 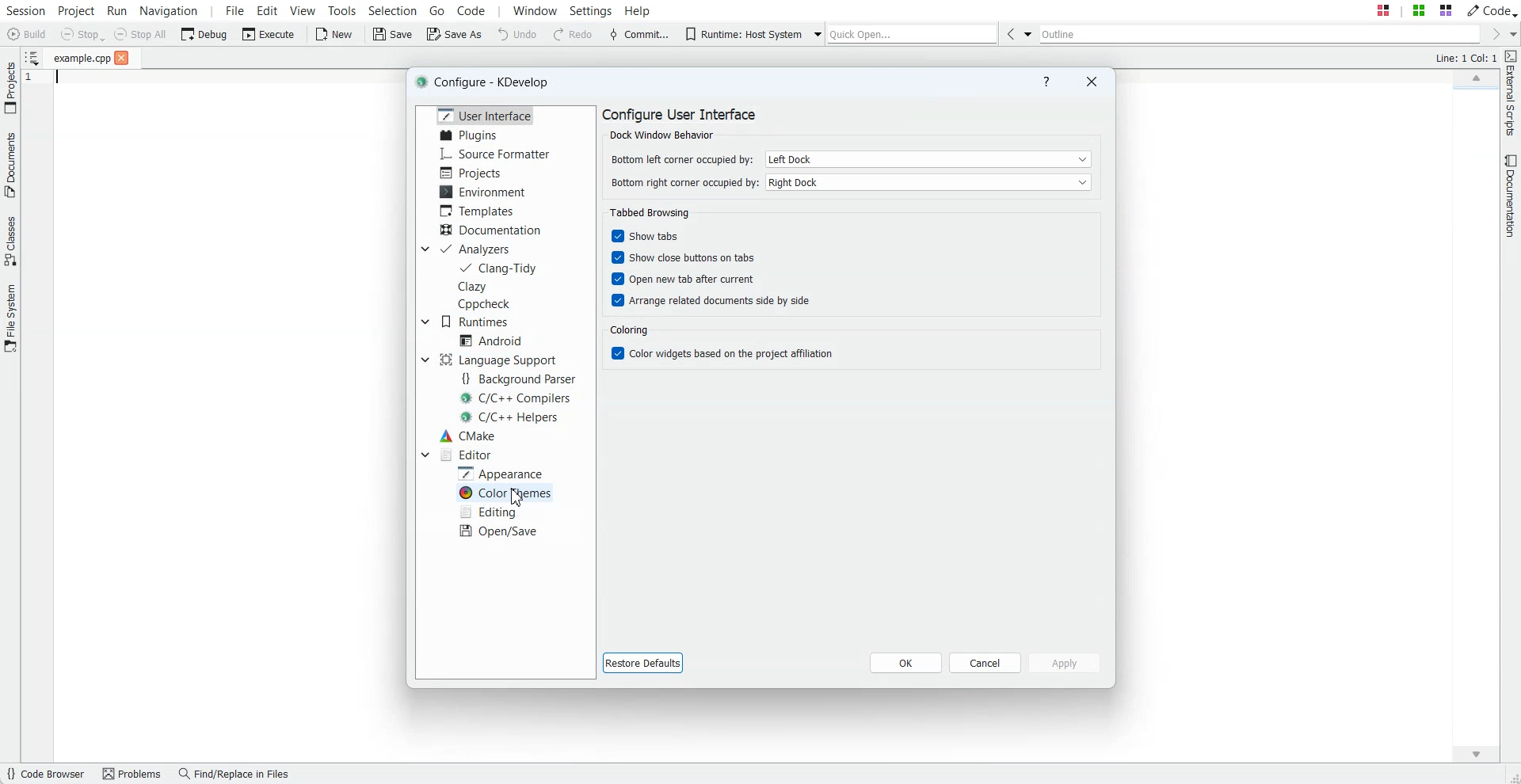 I want to click on Classes, so click(x=10, y=243).